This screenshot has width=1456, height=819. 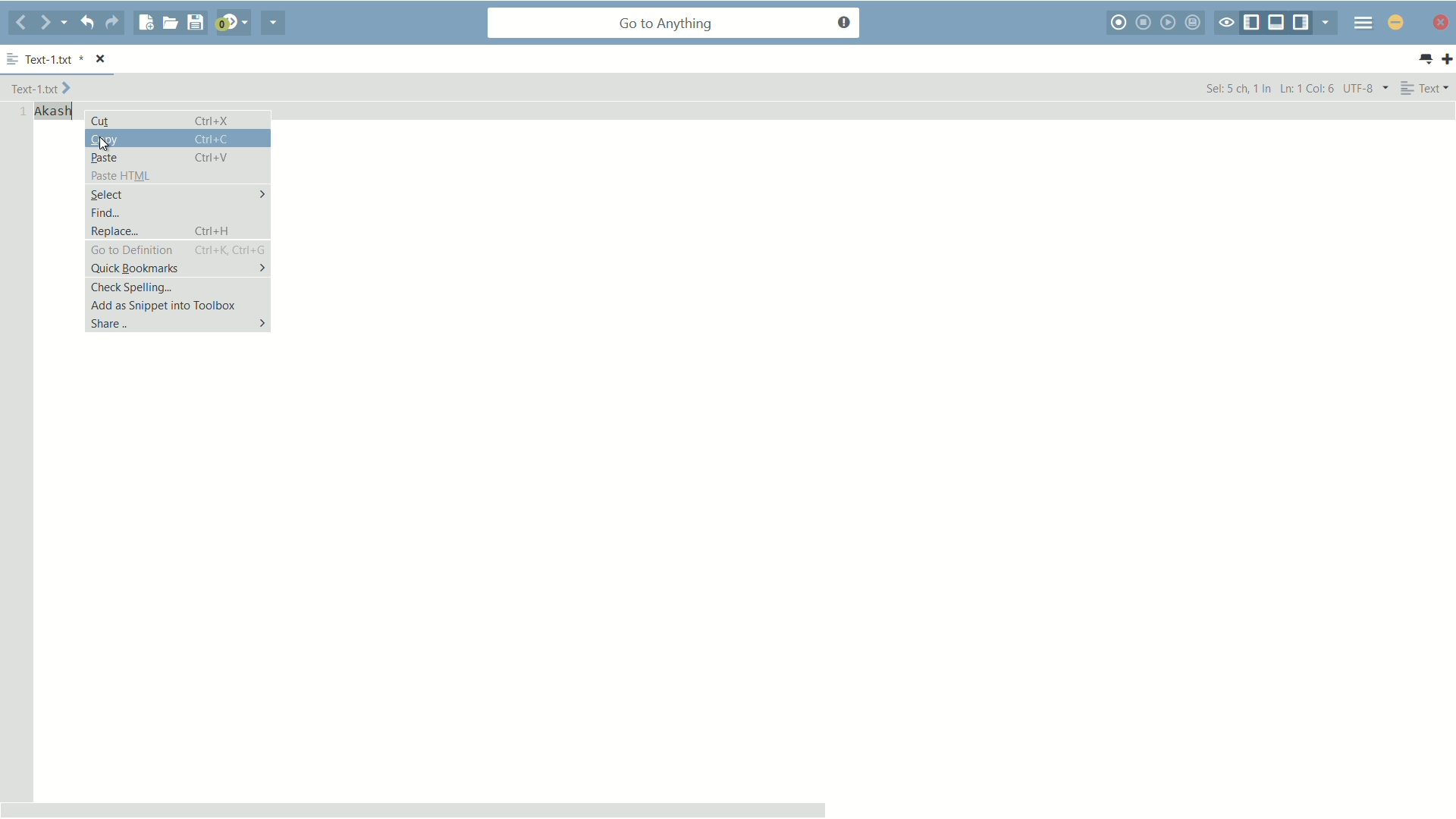 What do you see at coordinates (54, 23) in the screenshot?
I see `forward` at bounding box center [54, 23].